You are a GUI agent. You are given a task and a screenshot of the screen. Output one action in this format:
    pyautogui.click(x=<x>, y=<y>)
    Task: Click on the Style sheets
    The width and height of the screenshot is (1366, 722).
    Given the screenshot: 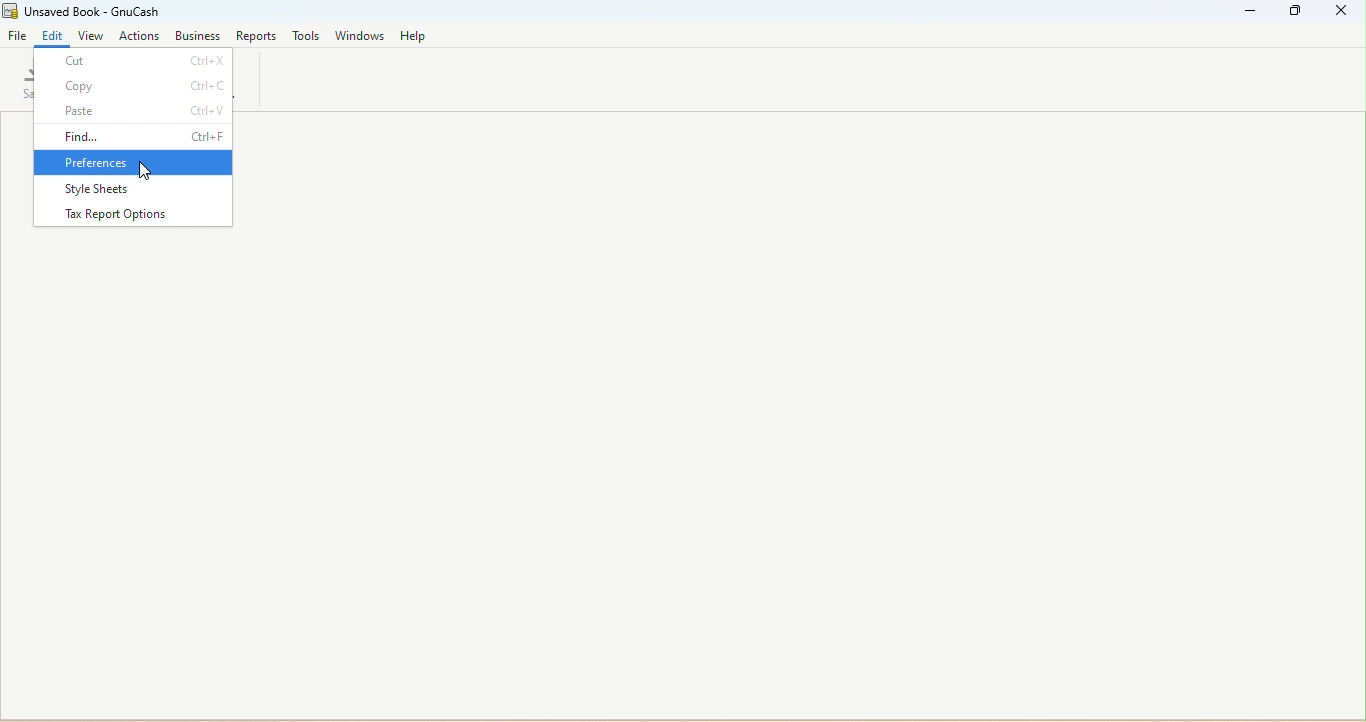 What is the action you would take?
    pyautogui.click(x=130, y=191)
    